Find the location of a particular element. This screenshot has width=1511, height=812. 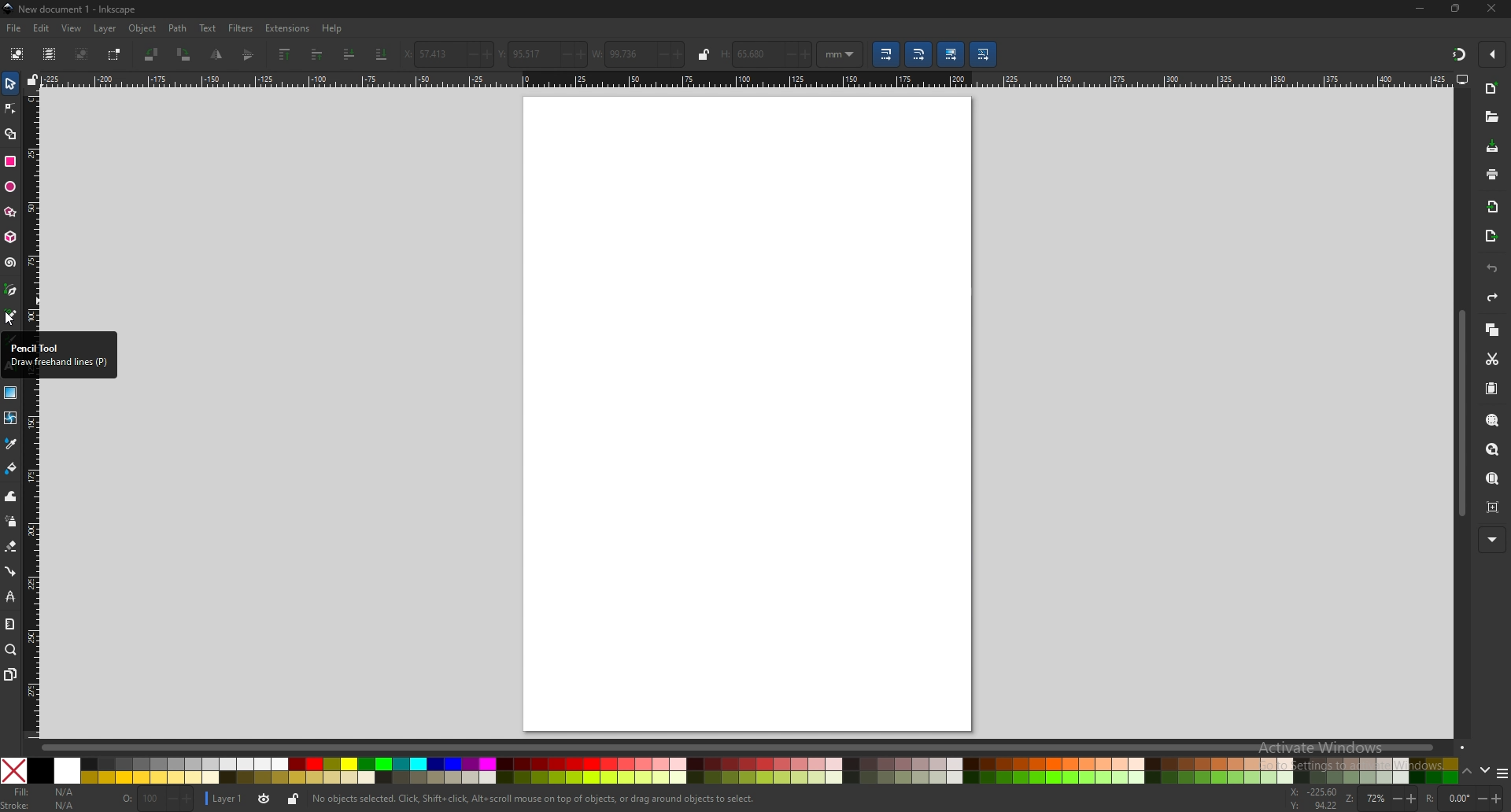

snapping is located at coordinates (1457, 55).